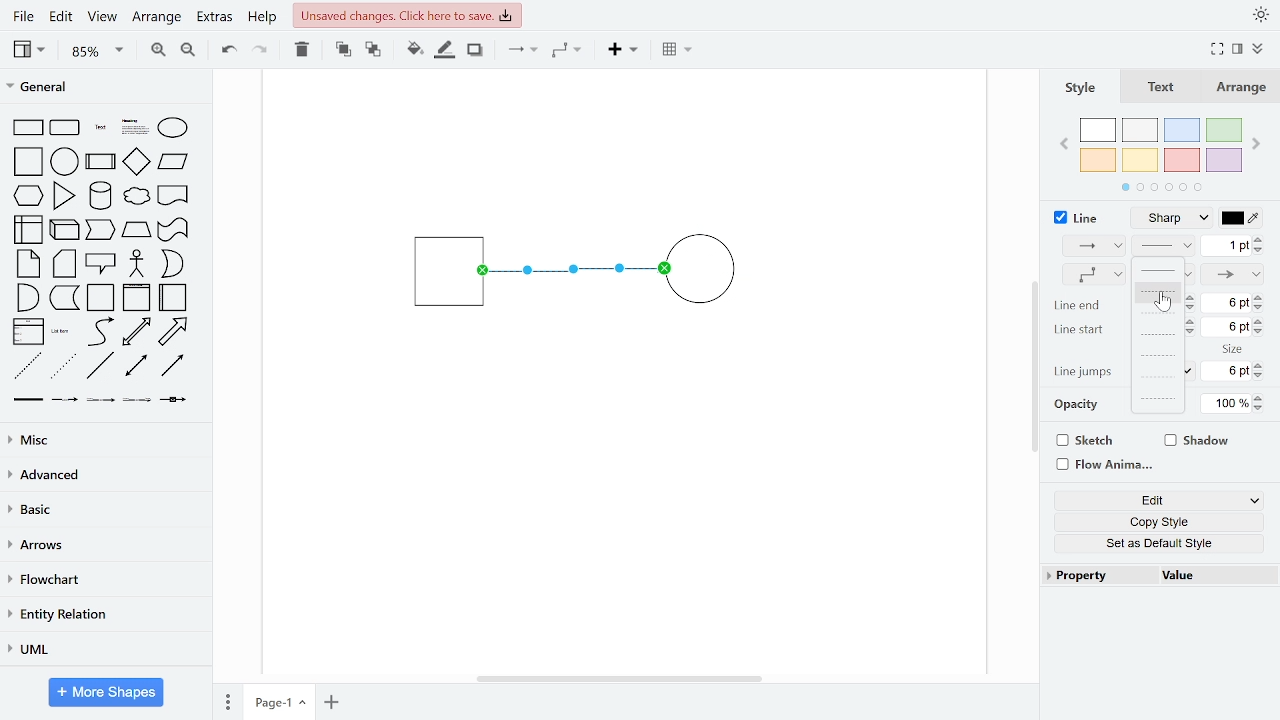  Describe the element at coordinates (60, 18) in the screenshot. I see `edit` at that location.